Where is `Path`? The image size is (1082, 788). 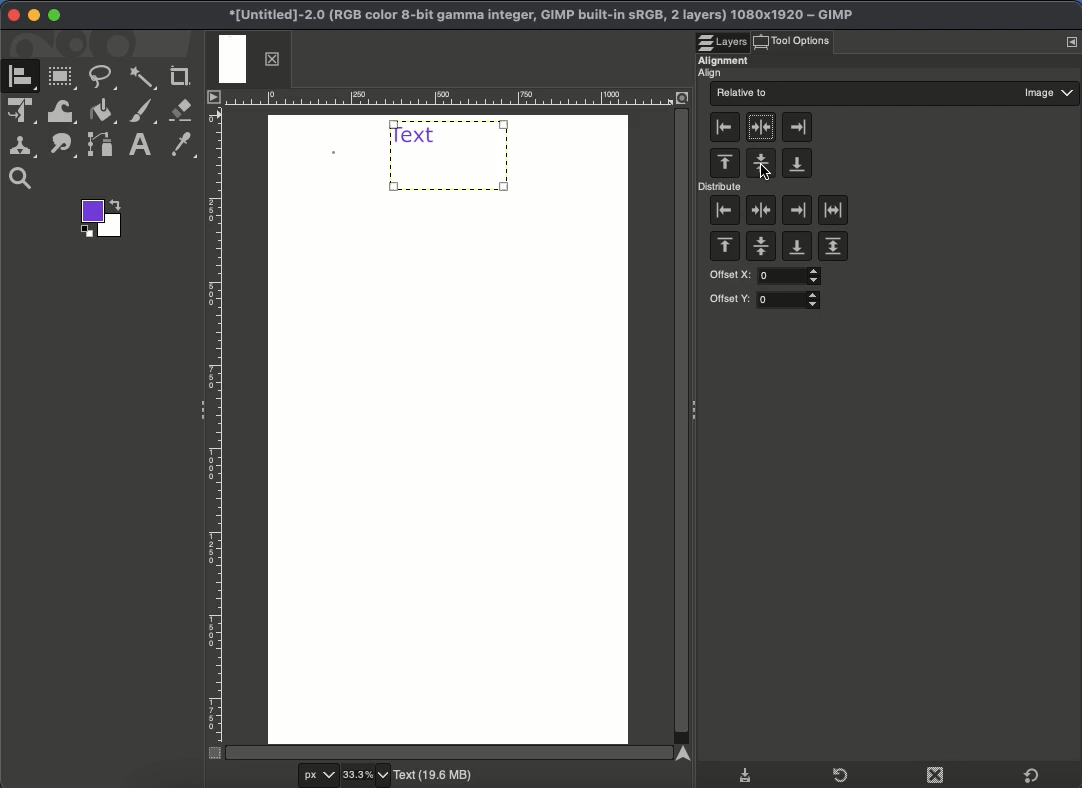 Path is located at coordinates (64, 146).